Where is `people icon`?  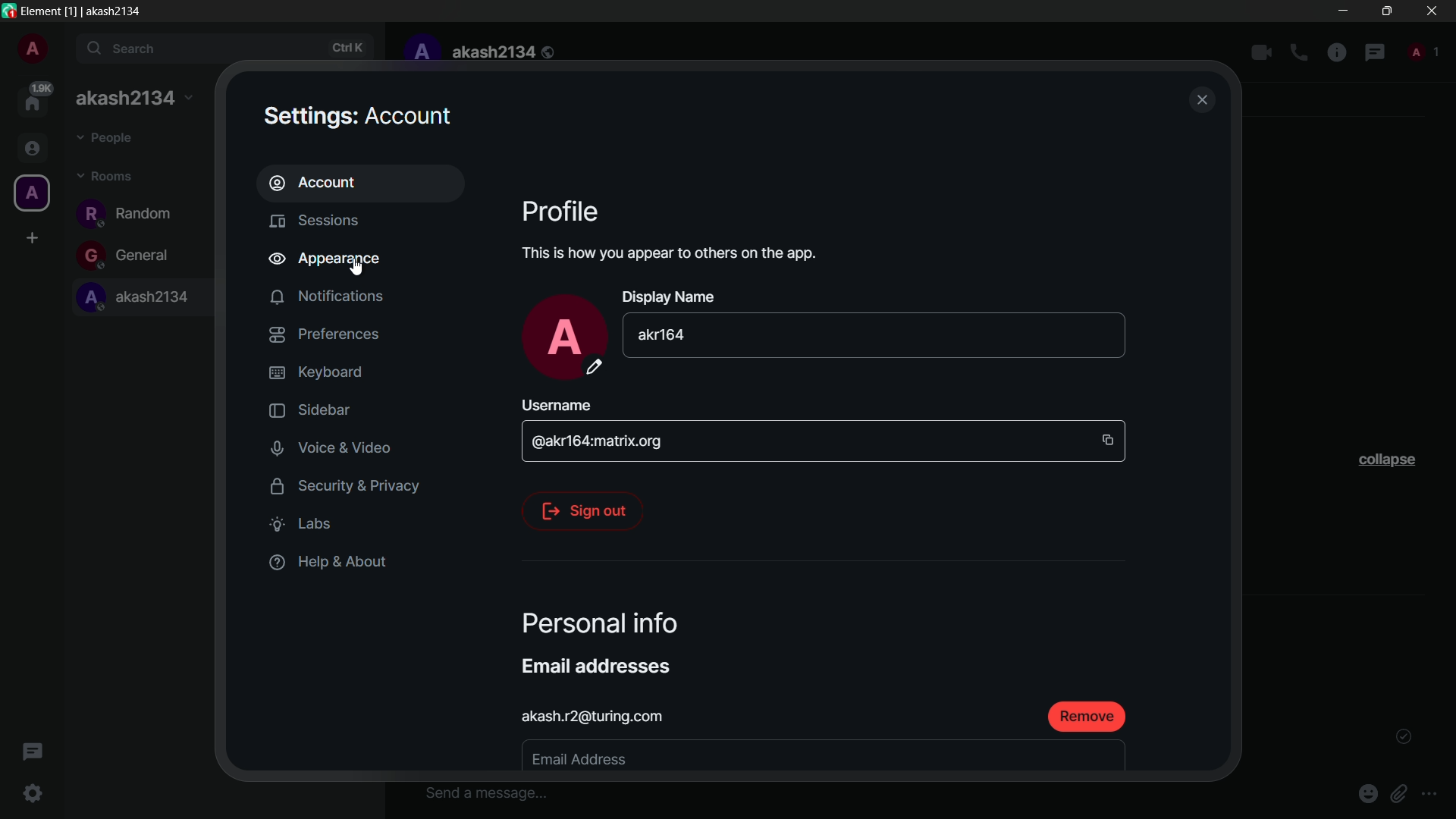 people icon is located at coordinates (30, 149).